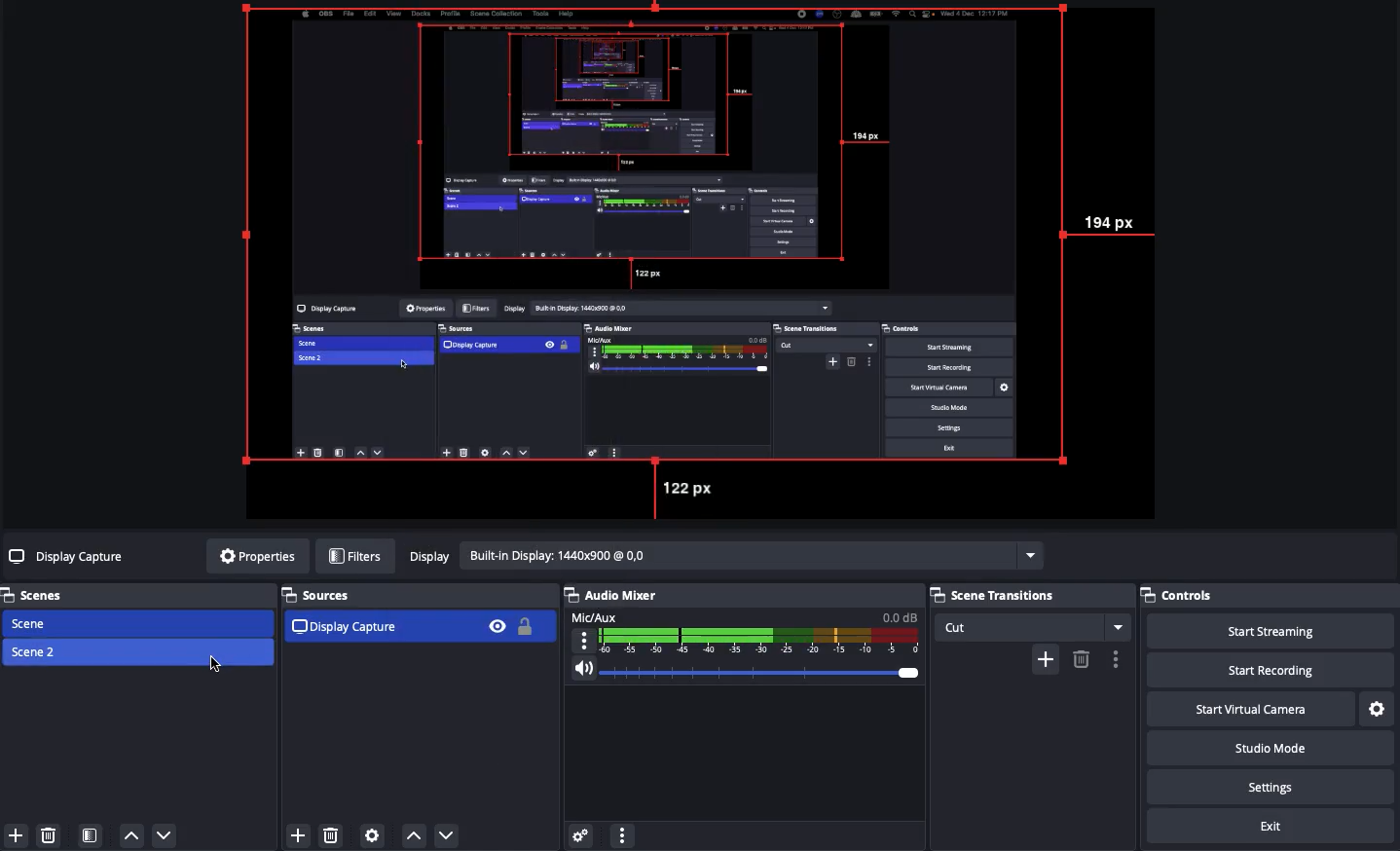 The width and height of the screenshot is (1400, 851). I want to click on Studio mode, so click(1267, 747).